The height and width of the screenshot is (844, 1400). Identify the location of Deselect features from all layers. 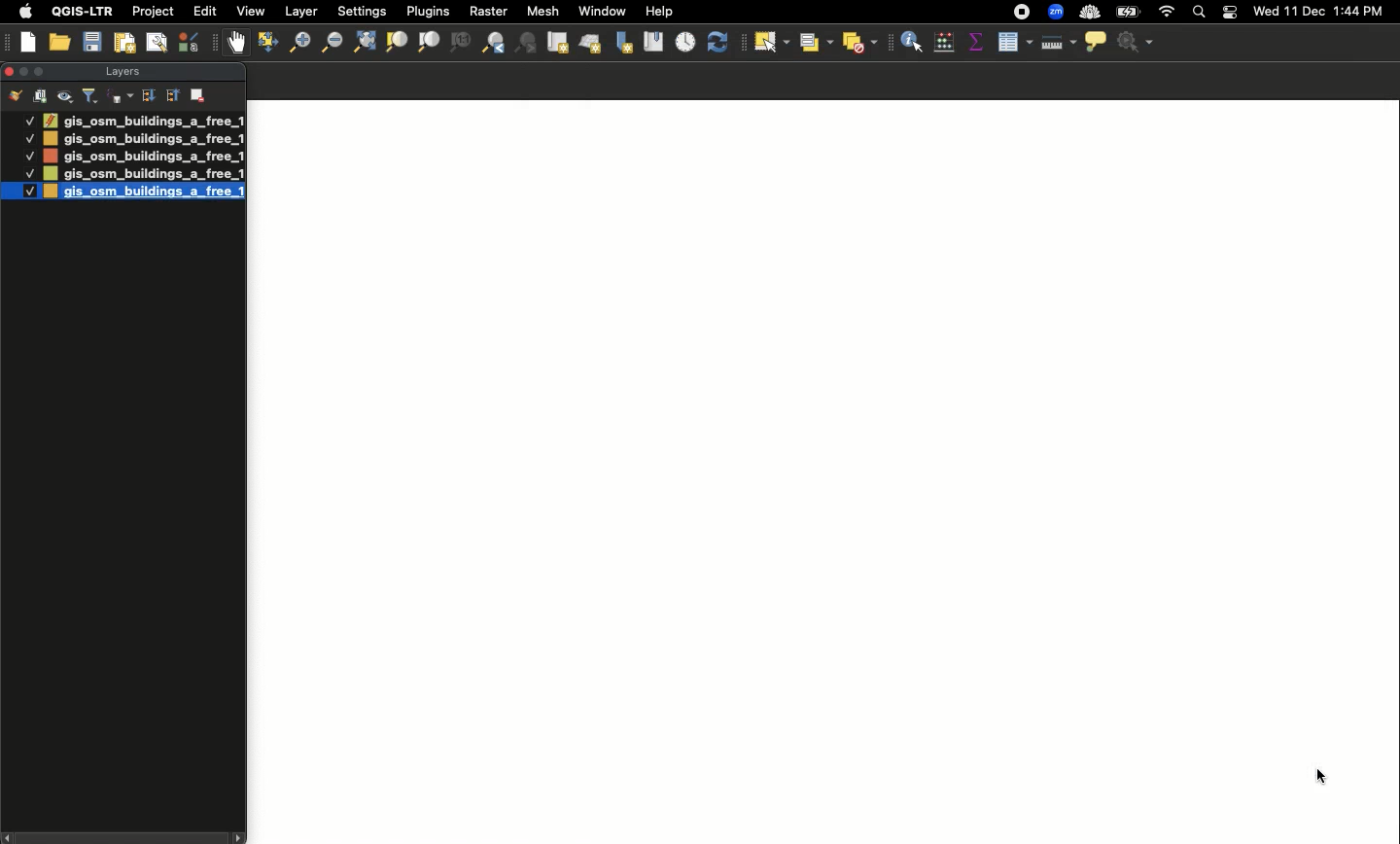
(861, 43).